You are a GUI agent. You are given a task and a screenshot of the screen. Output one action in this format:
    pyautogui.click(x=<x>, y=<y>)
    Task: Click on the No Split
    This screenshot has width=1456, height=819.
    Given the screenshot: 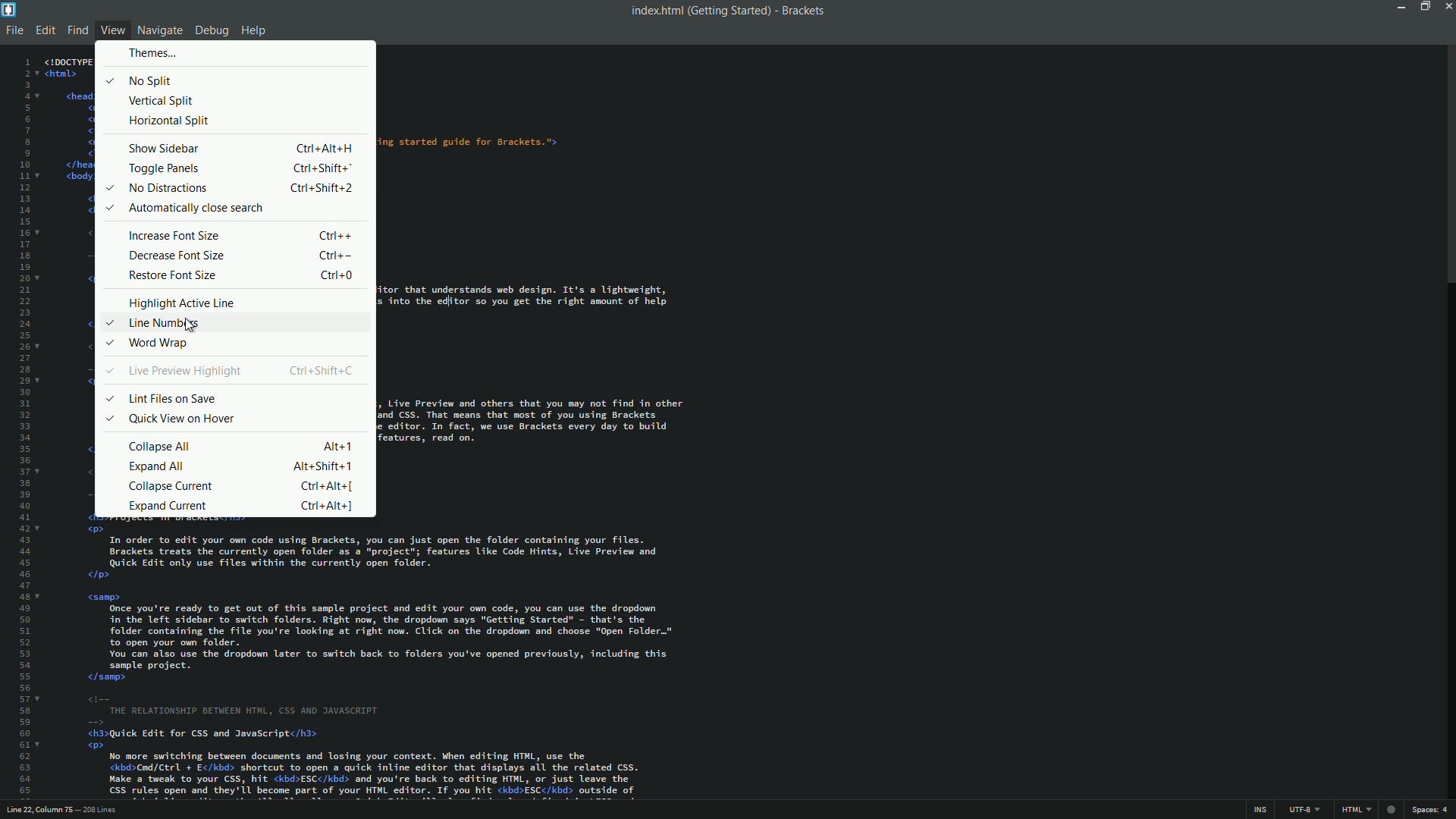 What is the action you would take?
    pyautogui.click(x=140, y=79)
    